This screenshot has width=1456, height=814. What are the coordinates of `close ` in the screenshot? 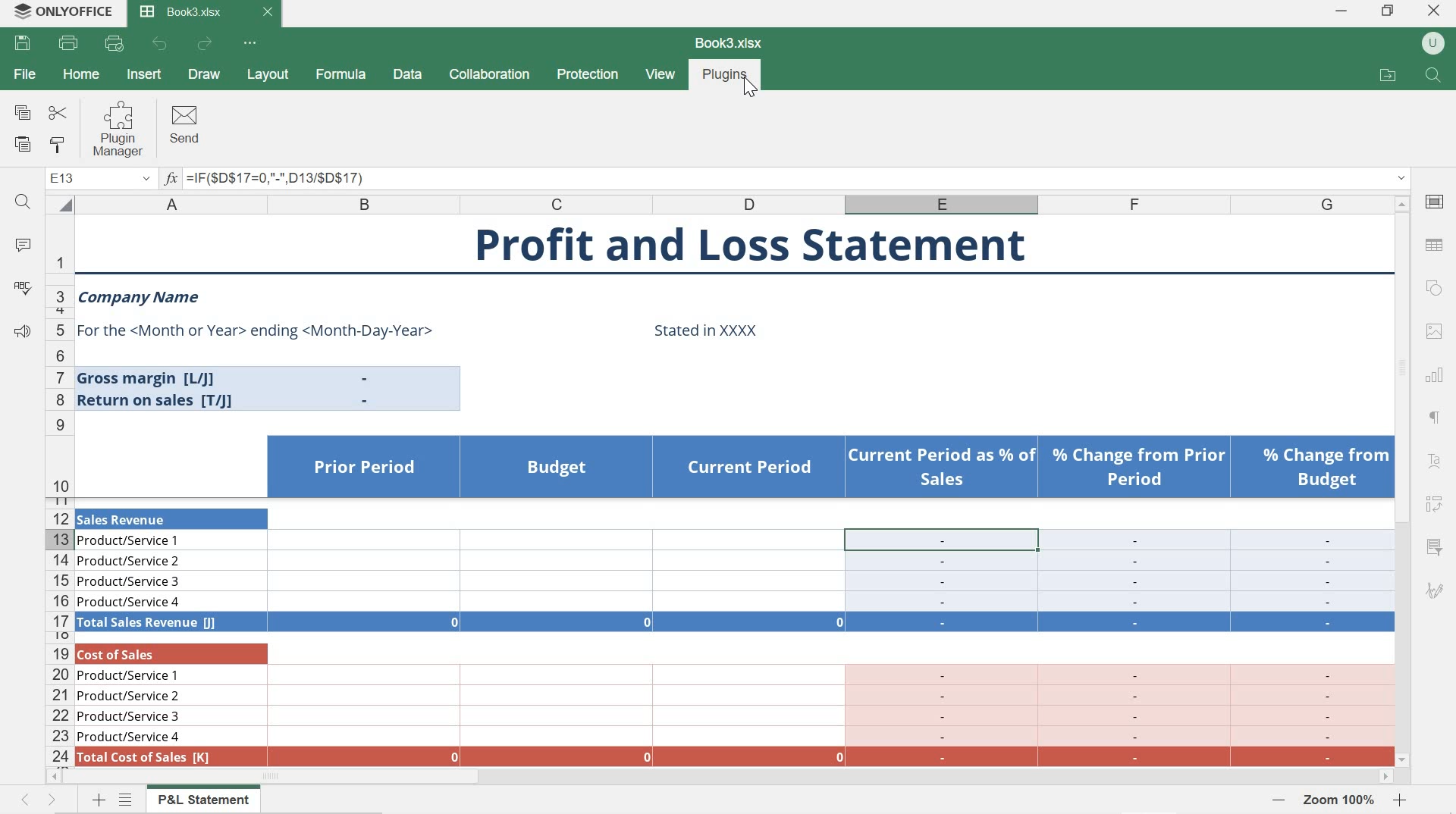 It's located at (268, 12).